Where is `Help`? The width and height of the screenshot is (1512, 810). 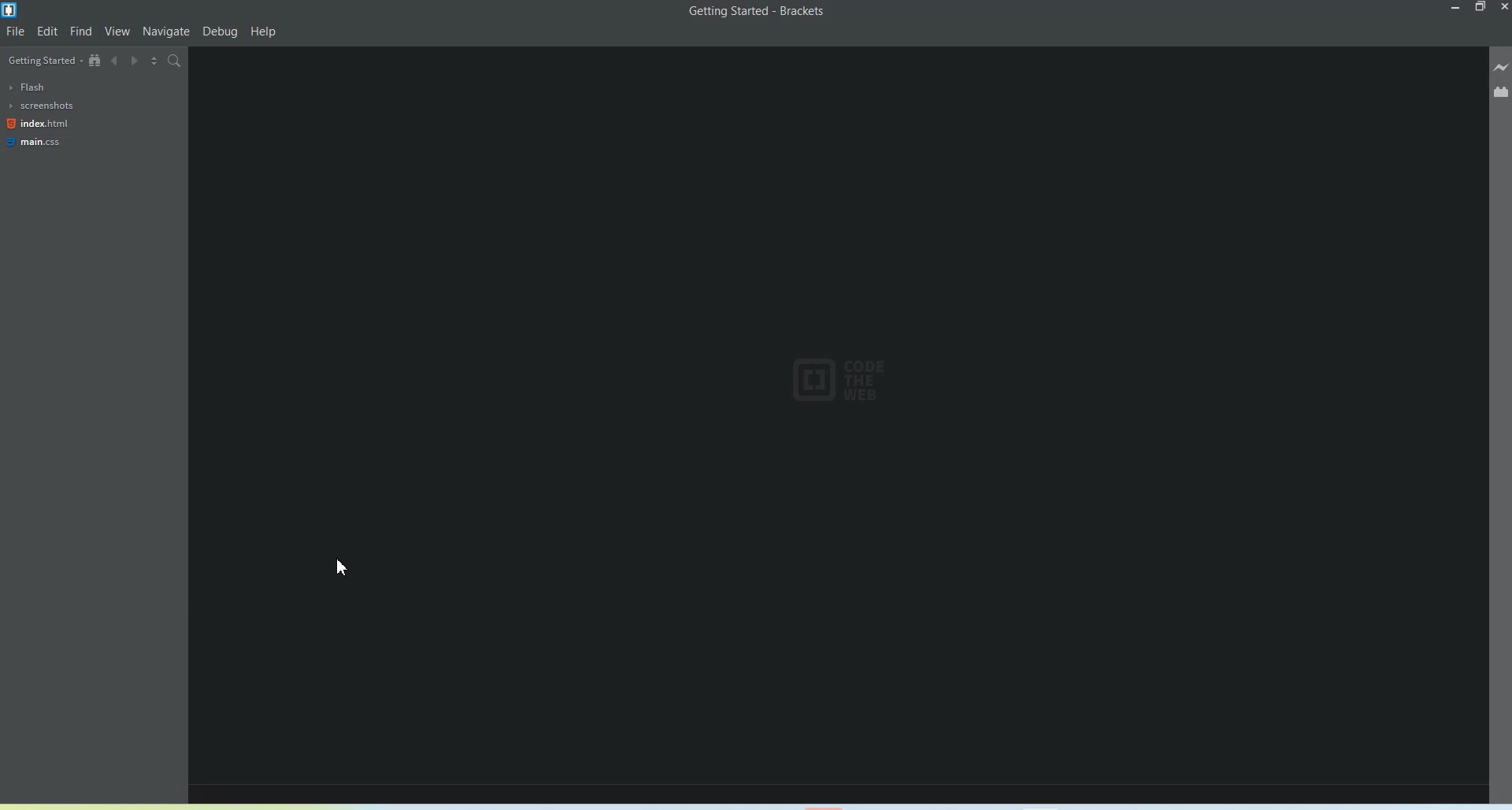 Help is located at coordinates (264, 32).